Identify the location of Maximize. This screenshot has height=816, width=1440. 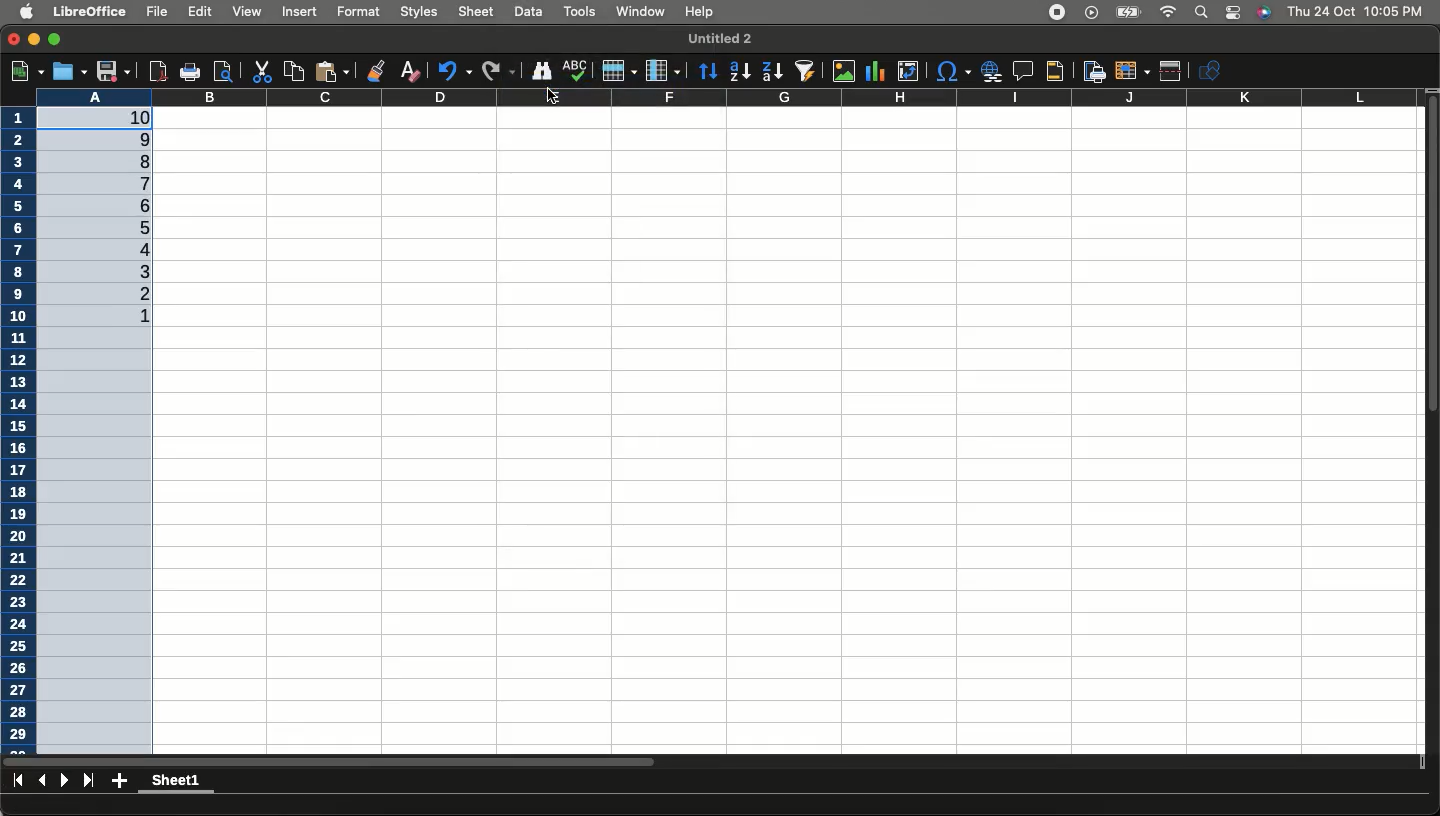
(55, 37).